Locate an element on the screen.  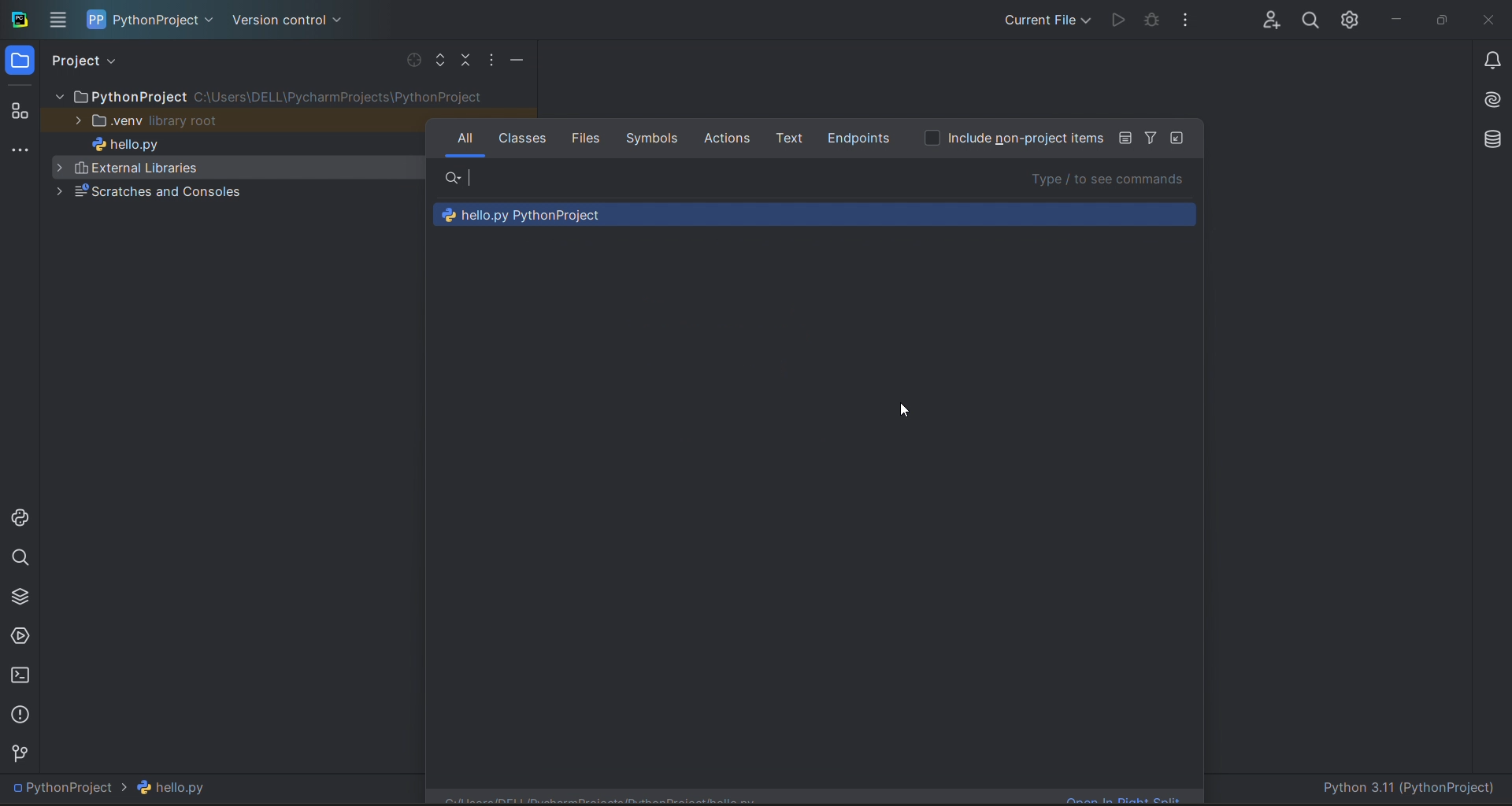
hello.py is located at coordinates (235, 143).